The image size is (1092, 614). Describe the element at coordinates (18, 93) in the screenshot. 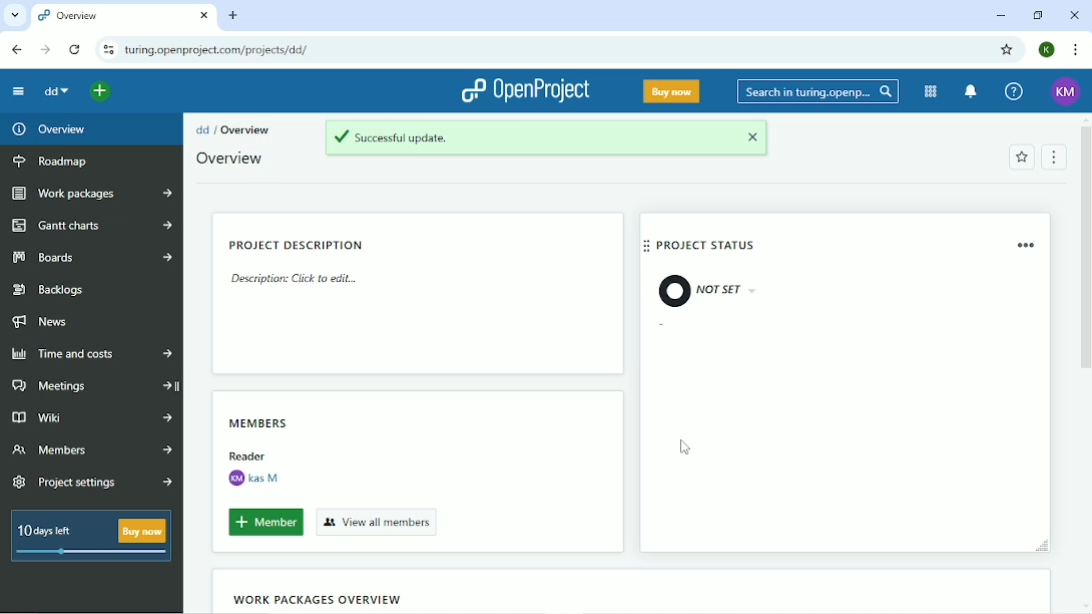

I see `Collpase project menu` at that location.